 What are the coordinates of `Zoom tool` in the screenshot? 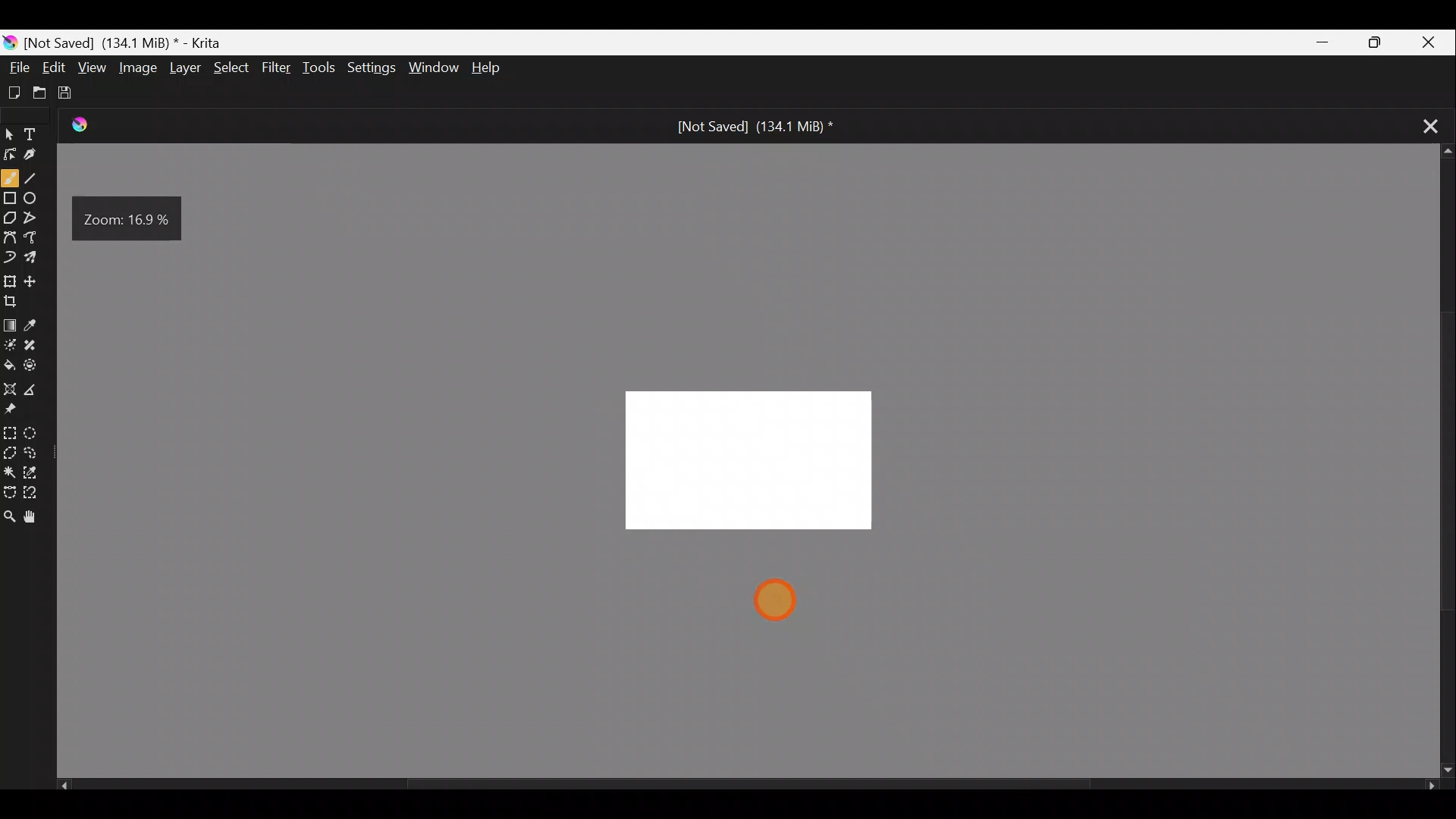 It's located at (9, 517).